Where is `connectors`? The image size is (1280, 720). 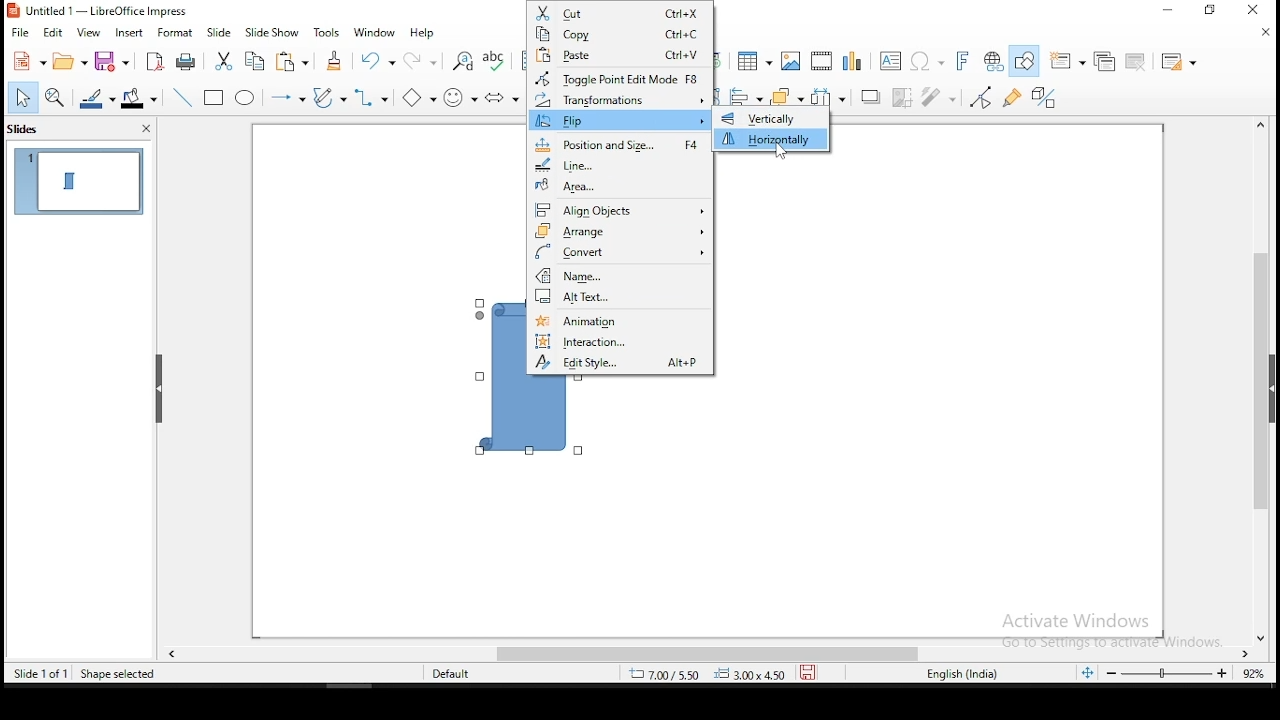
connectors is located at coordinates (375, 97).